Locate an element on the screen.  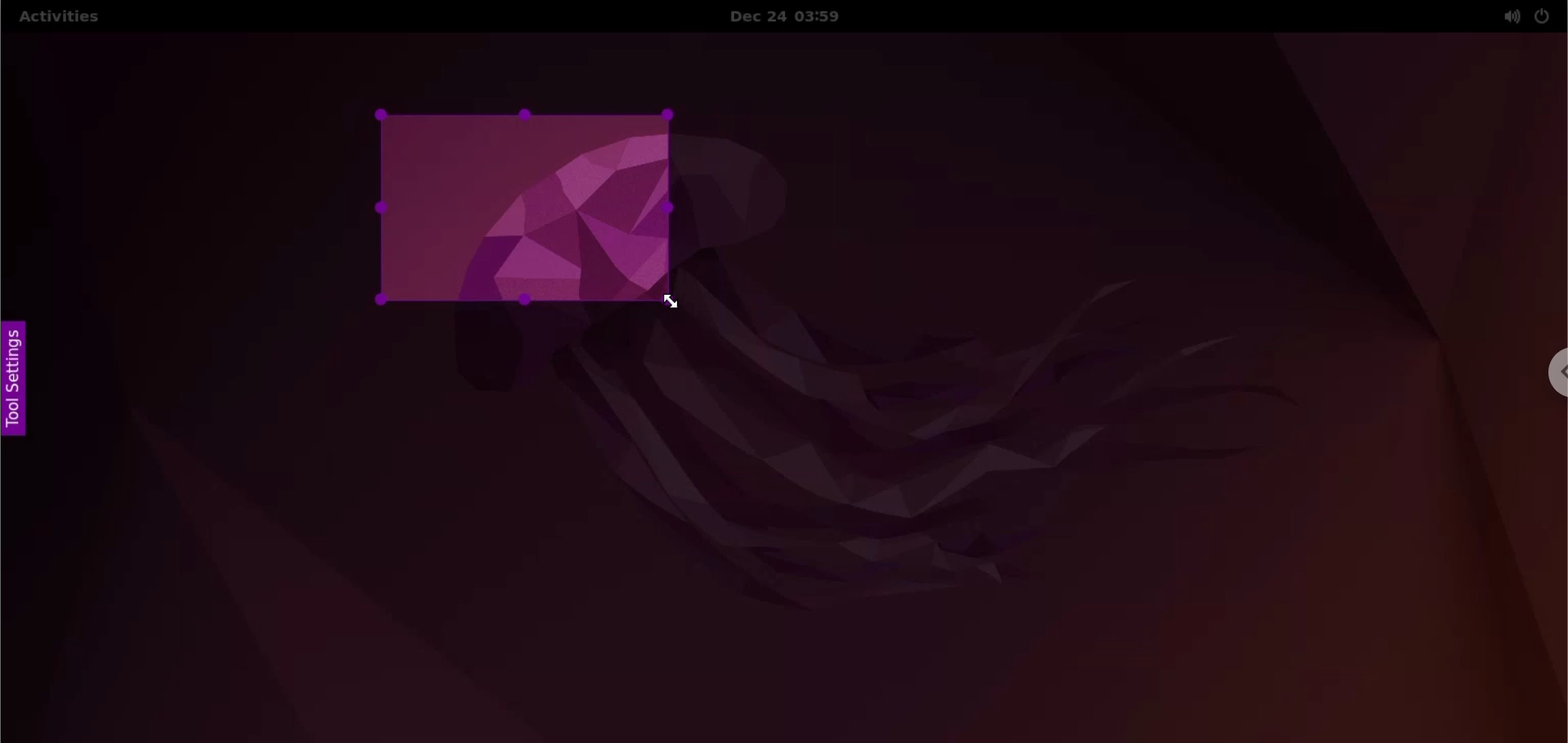
cursor navigation is located at coordinates (675, 304).